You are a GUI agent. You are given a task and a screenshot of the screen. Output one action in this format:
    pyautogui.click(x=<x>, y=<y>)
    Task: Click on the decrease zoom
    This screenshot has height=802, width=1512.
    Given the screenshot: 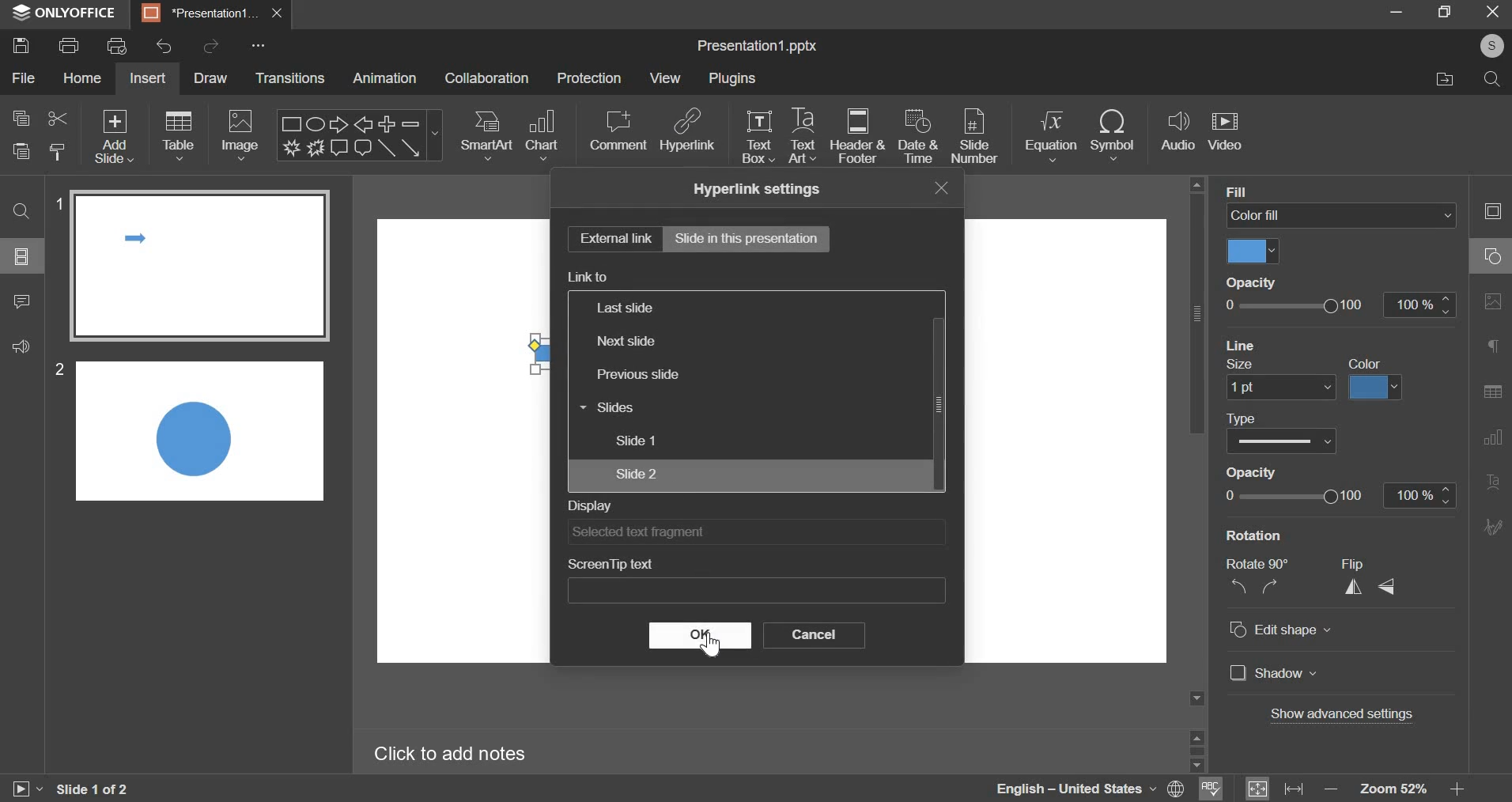 What is the action you would take?
    pyautogui.click(x=1332, y=789)
    